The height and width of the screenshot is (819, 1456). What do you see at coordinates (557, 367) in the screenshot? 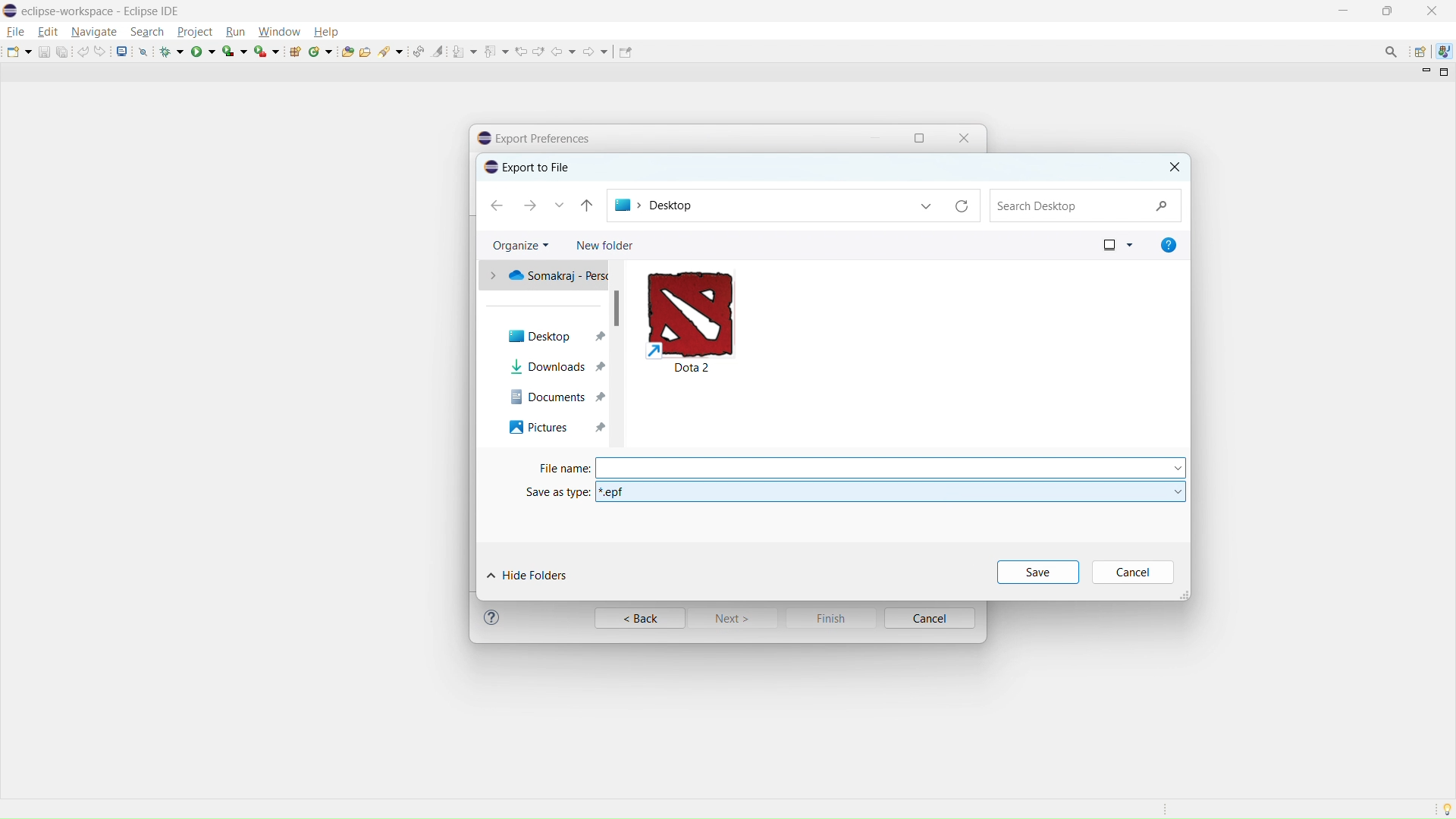
I see `Downloads` at bounding box center [557, 367].